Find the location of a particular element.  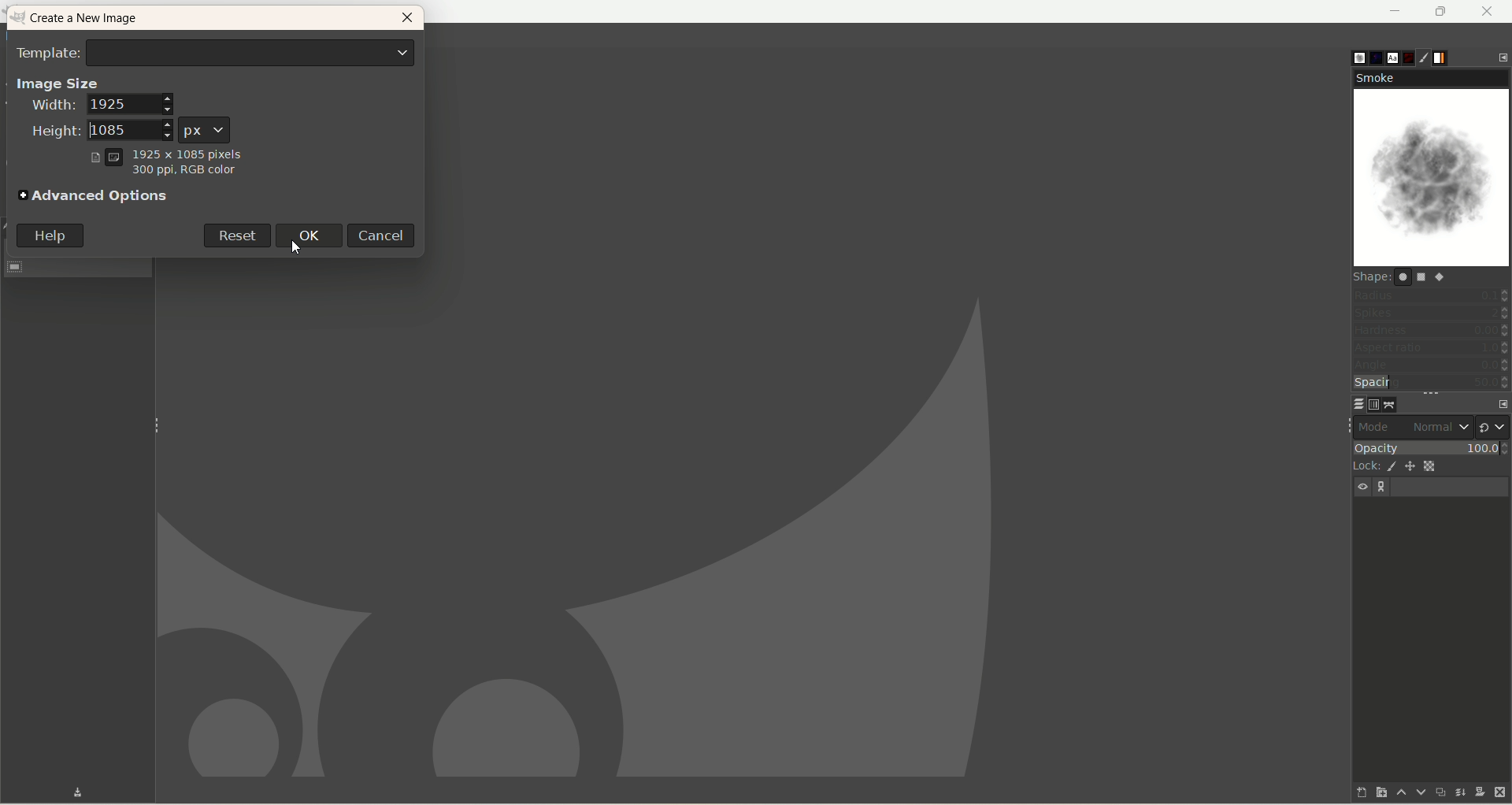

layers is located at coordinates (1349, 403).